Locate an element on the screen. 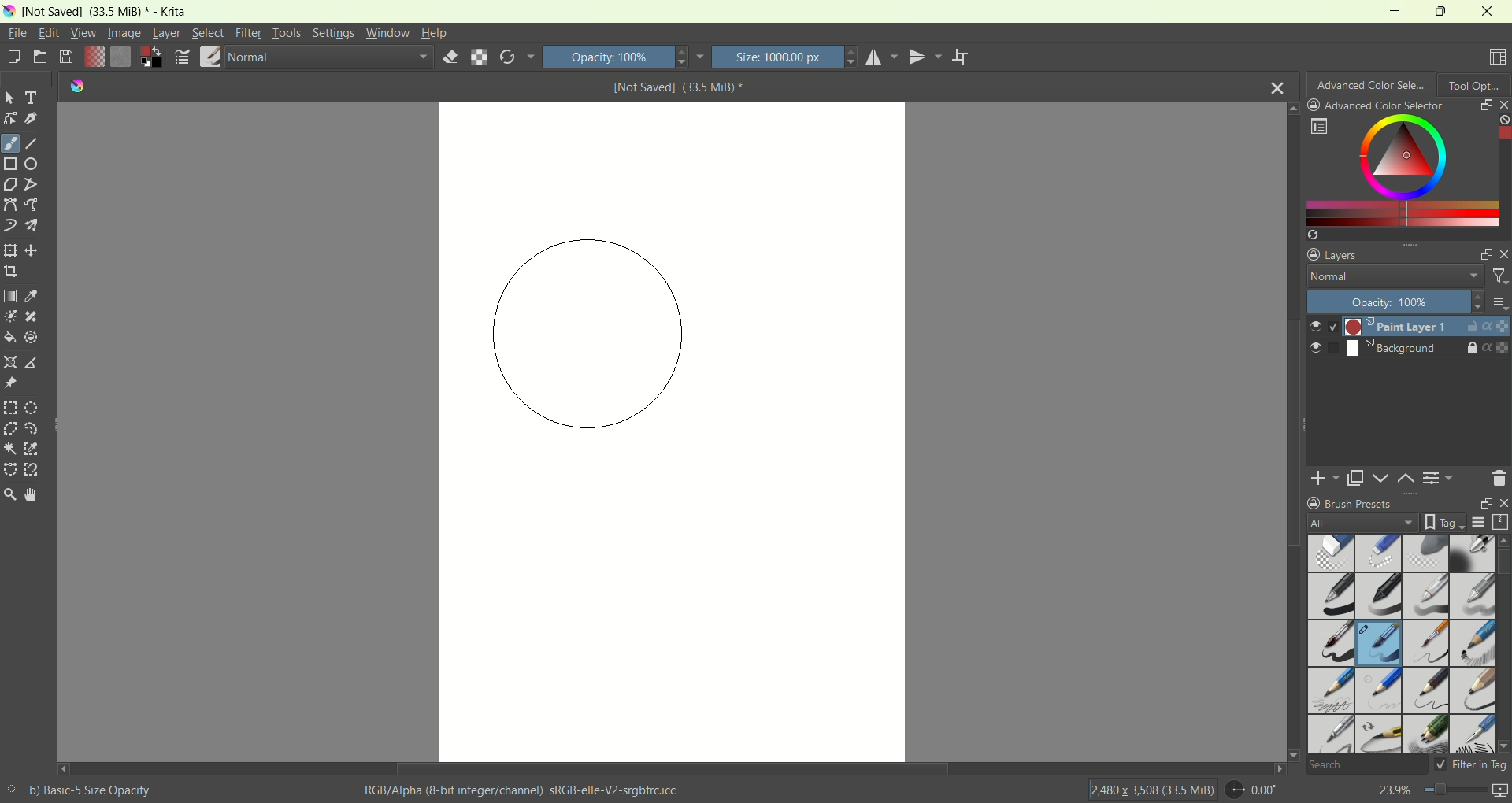 The image size is (1512, 803). filter is located at coordinates (250, 33).